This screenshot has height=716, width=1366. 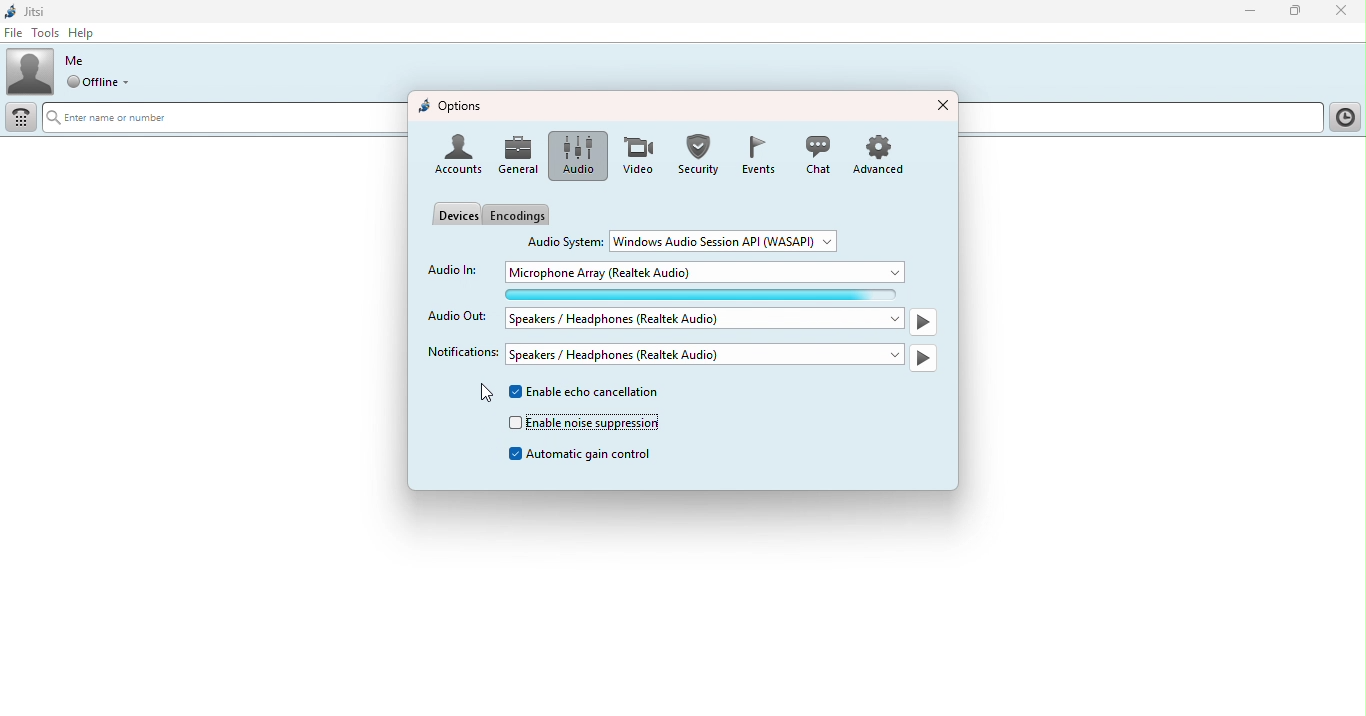 What do you see at coordinates (710, 294) in the screenshot?
I see `Level bar` at bounding box center [710, 294].